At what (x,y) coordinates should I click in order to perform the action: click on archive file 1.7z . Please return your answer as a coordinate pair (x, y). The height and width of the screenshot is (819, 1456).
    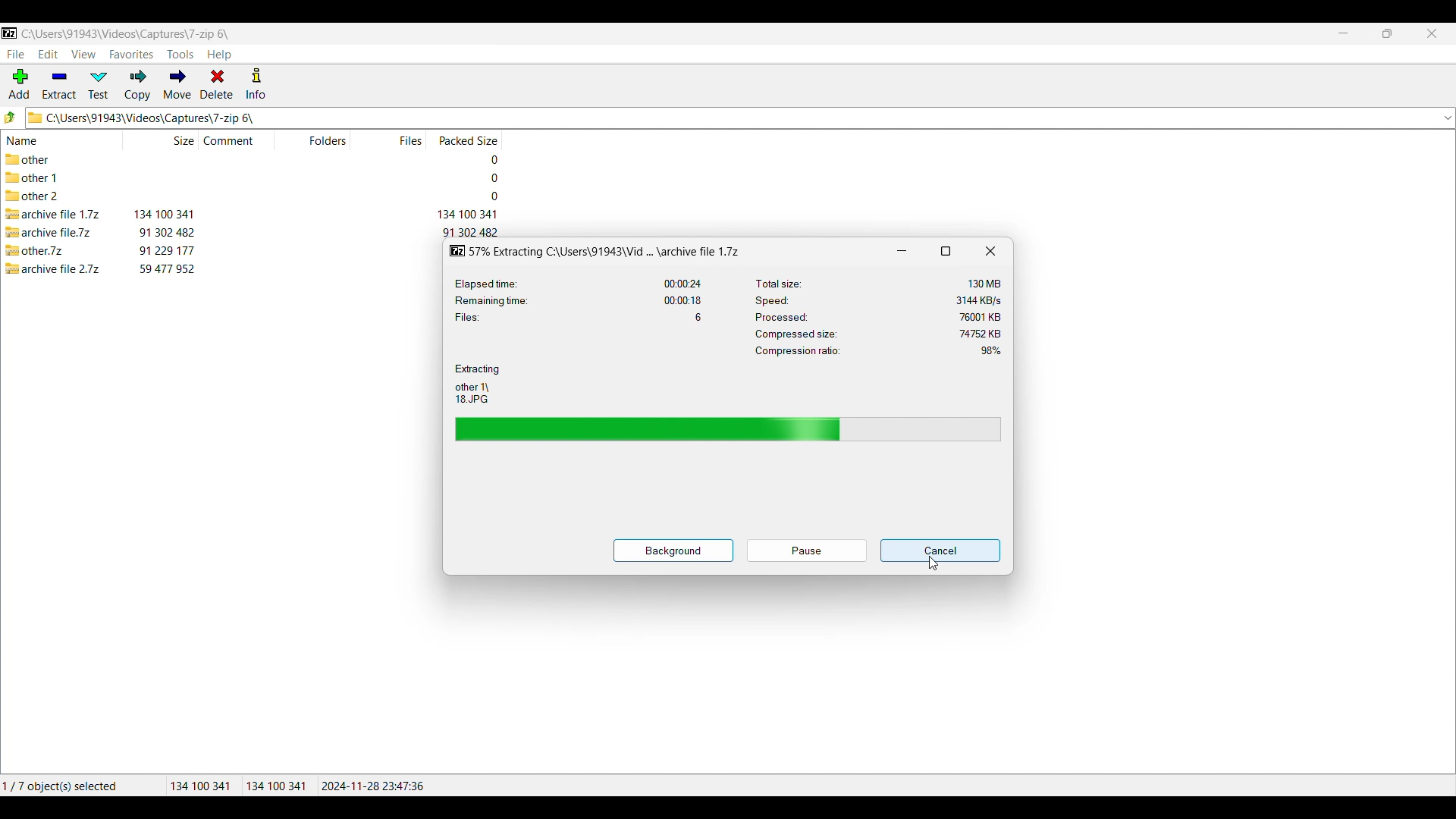
    Looking at the image, I should click on (52, 215).